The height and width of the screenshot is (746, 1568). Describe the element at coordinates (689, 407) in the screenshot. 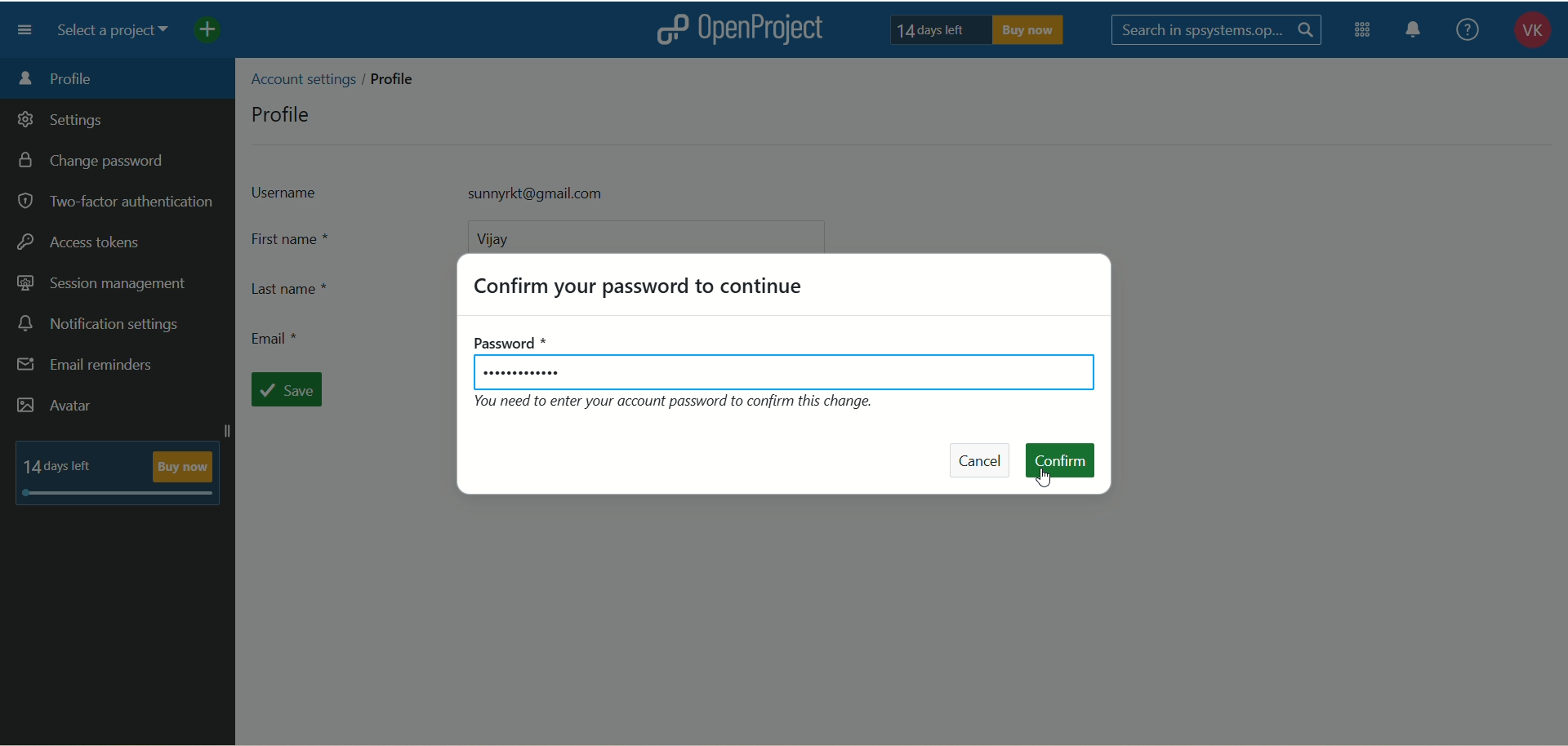

I see `text` at that location.